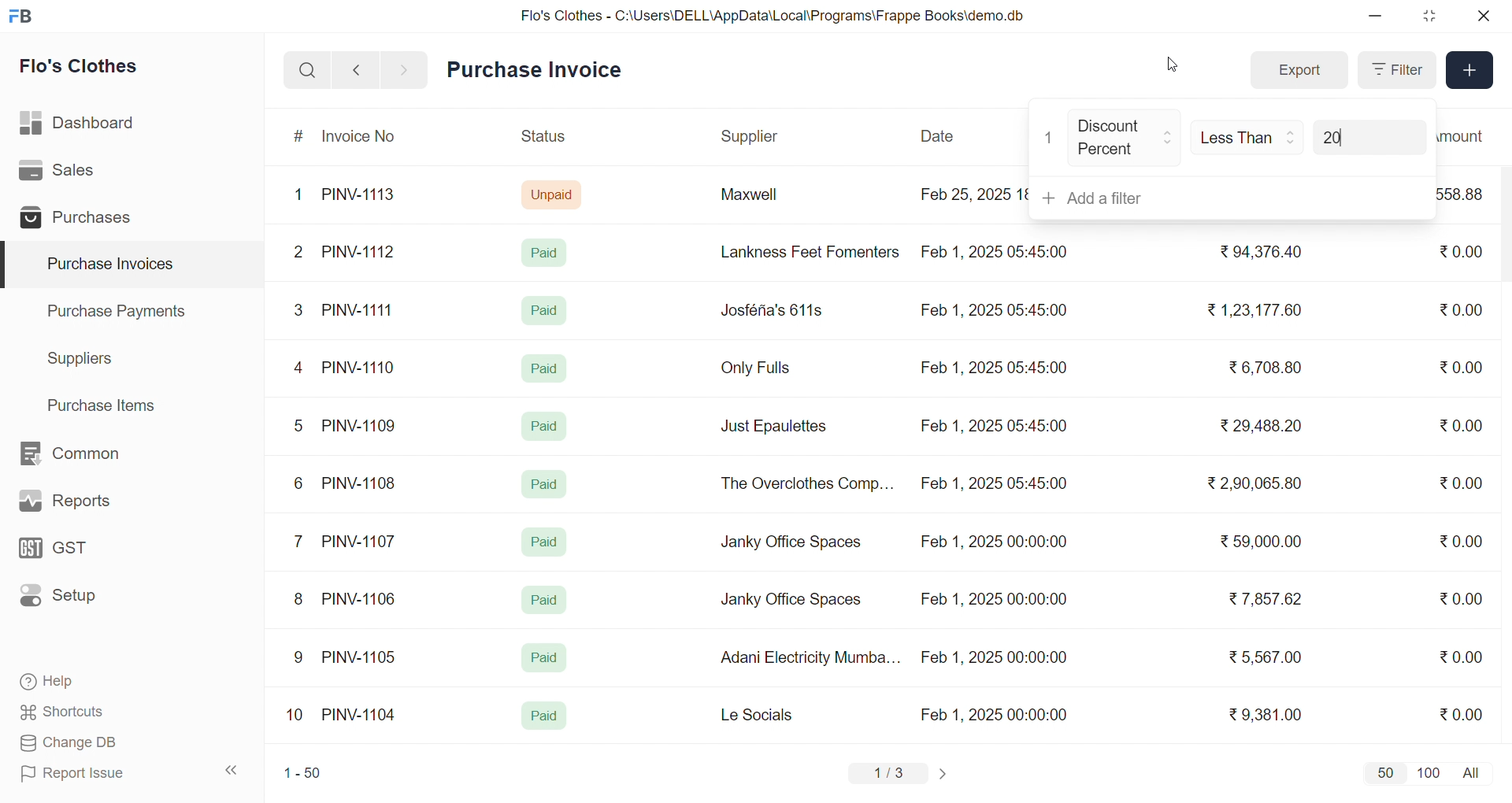 The image size is (1512, 803). I want to click on Supplier, so click(752, 137).